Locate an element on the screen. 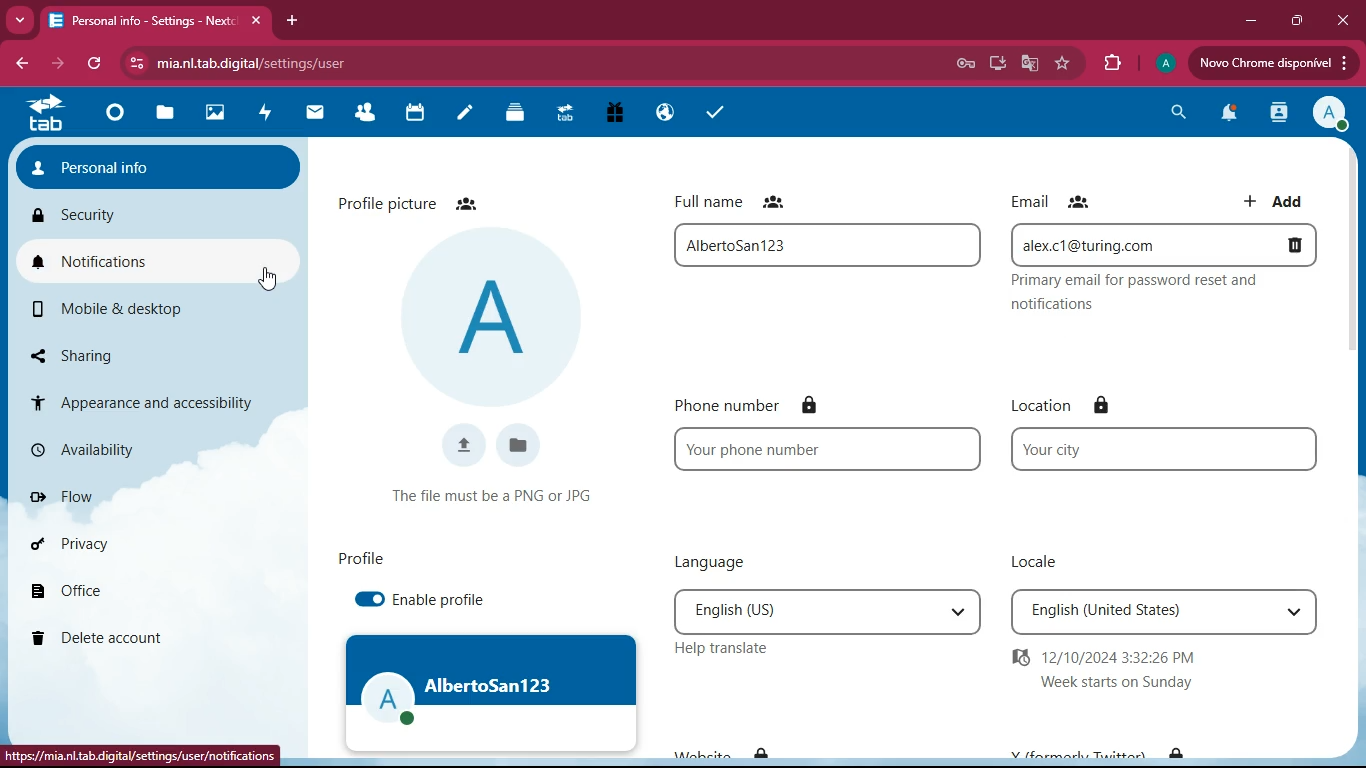  search is located at coordinates (1175, 114).